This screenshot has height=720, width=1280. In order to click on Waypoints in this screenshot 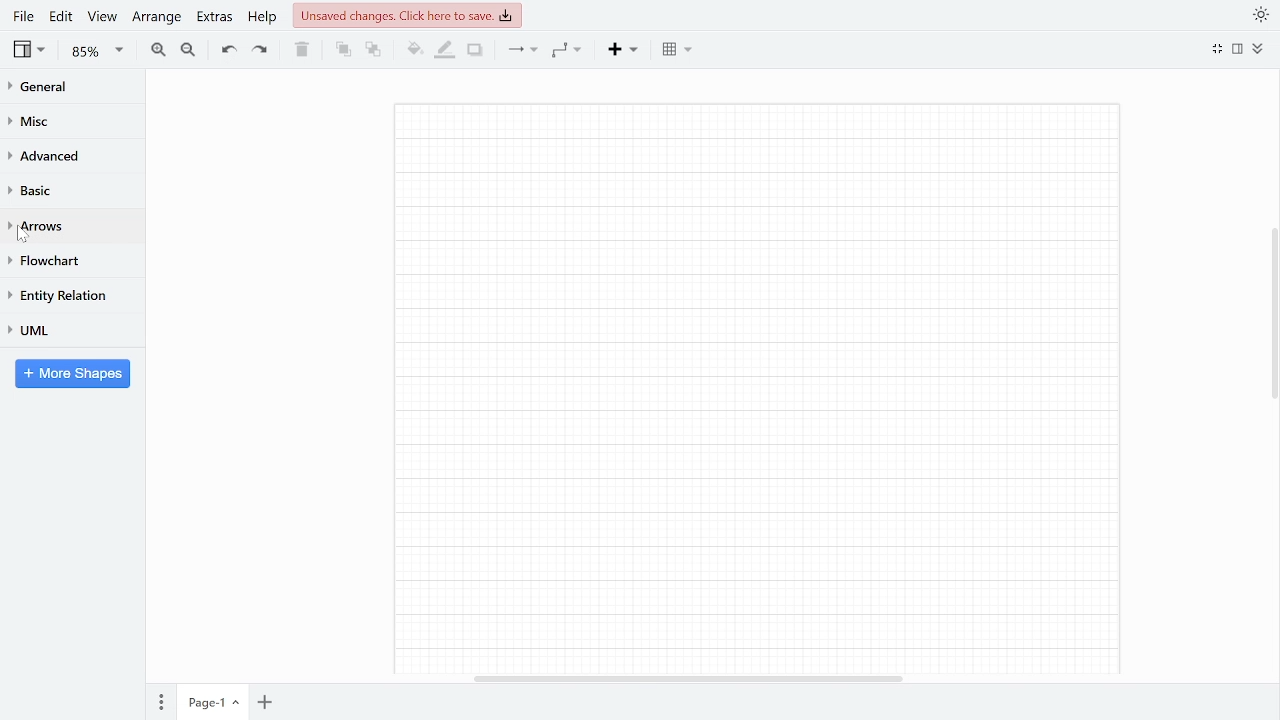, I will do `click(569, 50)`.